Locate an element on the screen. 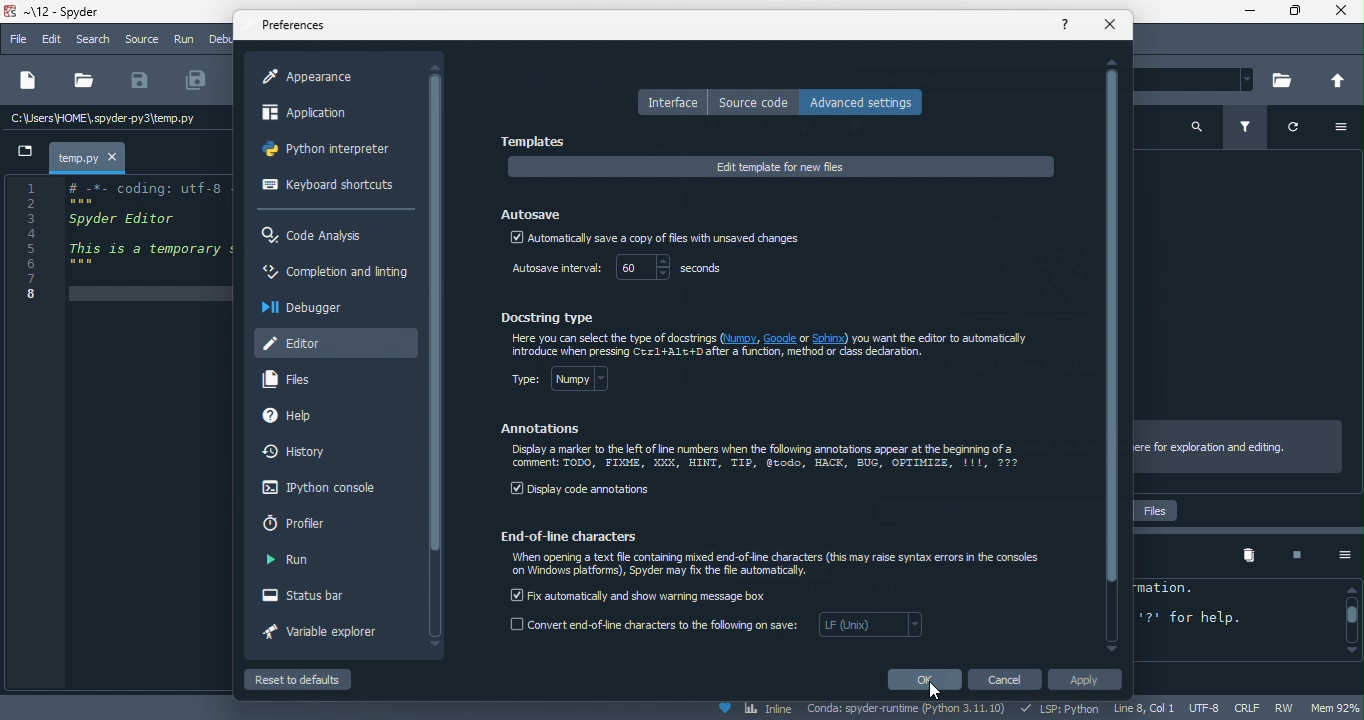  keyboard shortcuts is located at coordinates (328, 187).